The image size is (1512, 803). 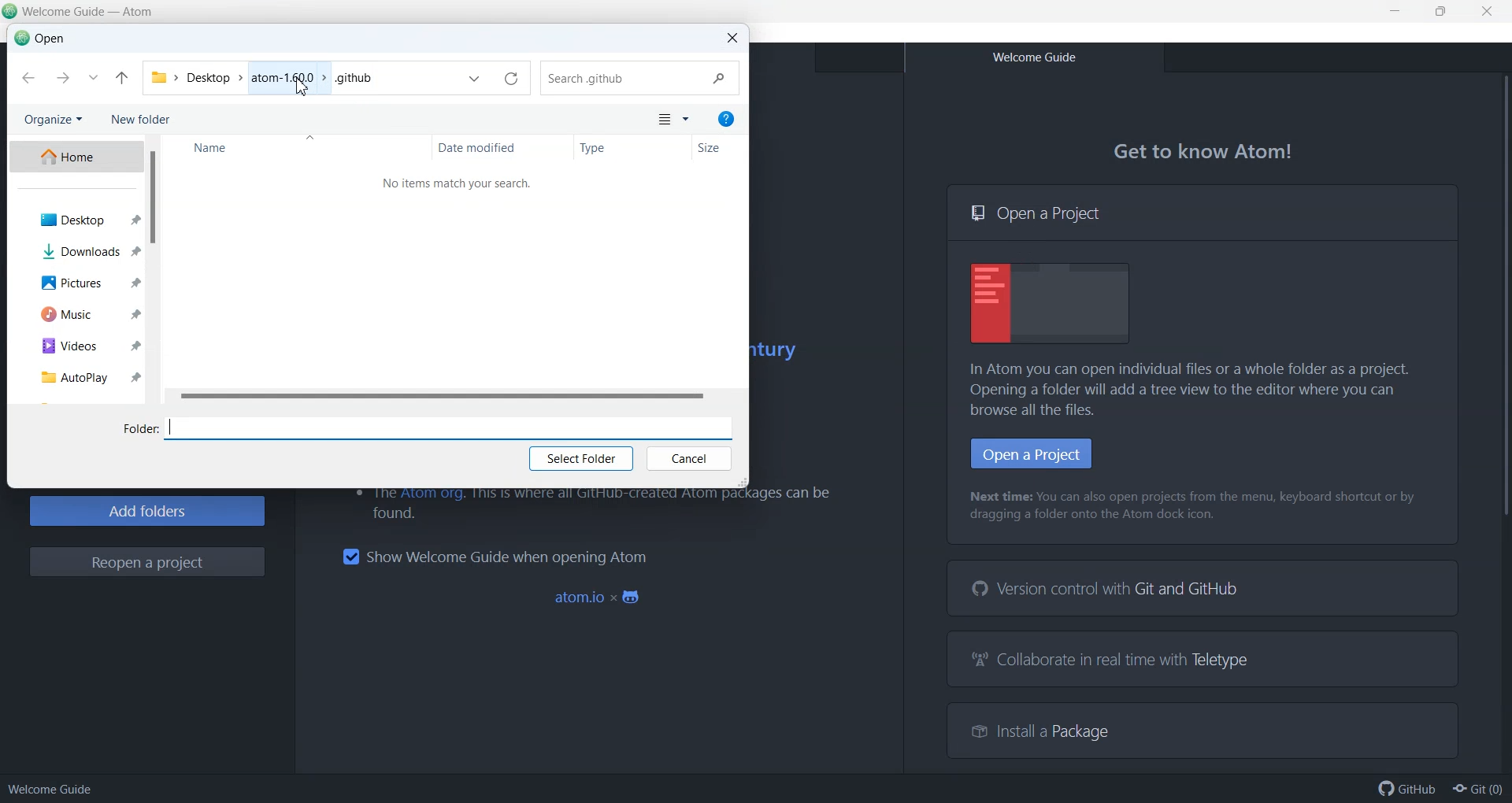 What do you see at coordinates (732, 39) in the screenshot?
I see `Close` at bounding box center [732, 39].